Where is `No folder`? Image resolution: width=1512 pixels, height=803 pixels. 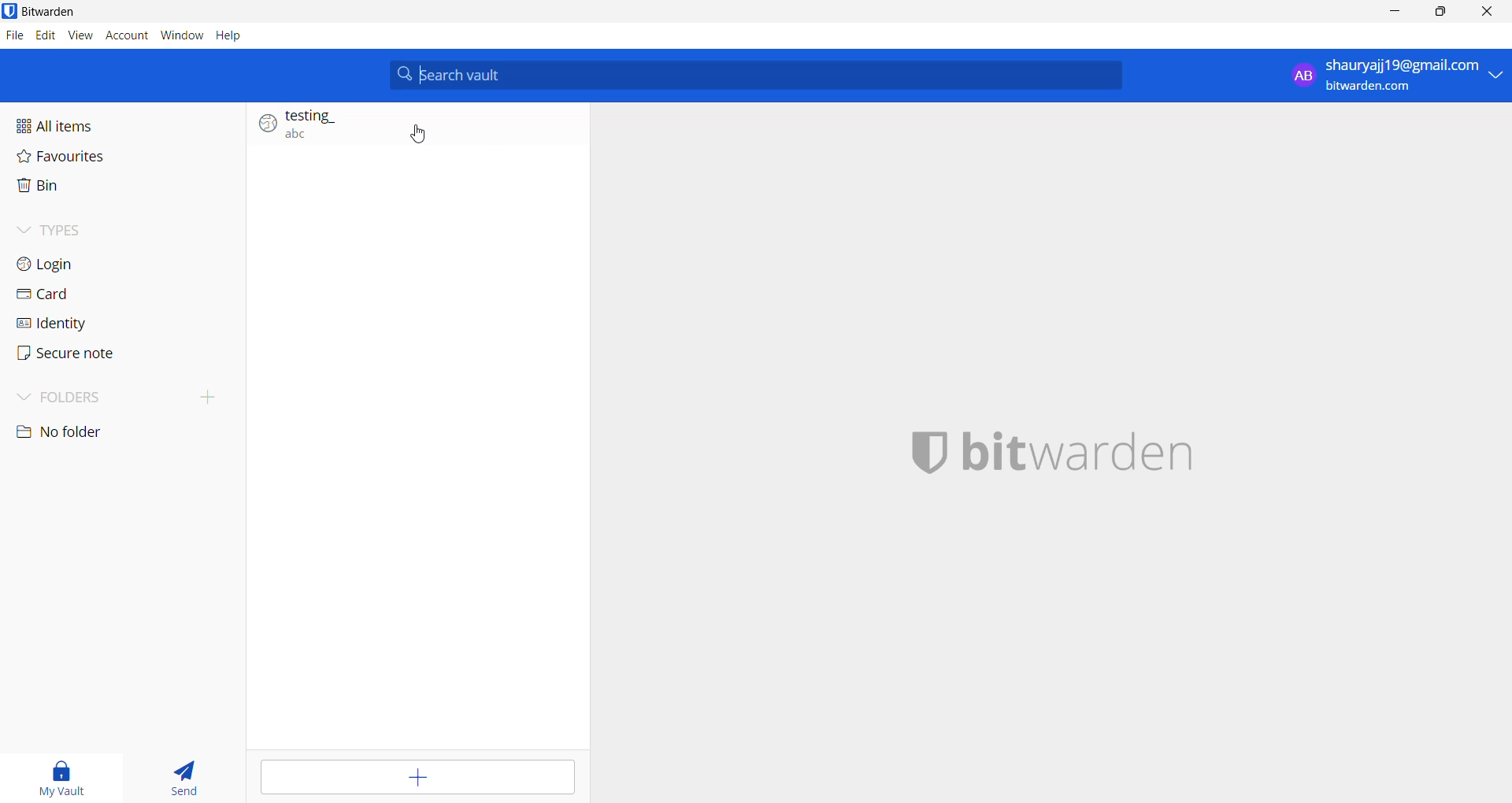 No folder is located at coordinates (78, 434).